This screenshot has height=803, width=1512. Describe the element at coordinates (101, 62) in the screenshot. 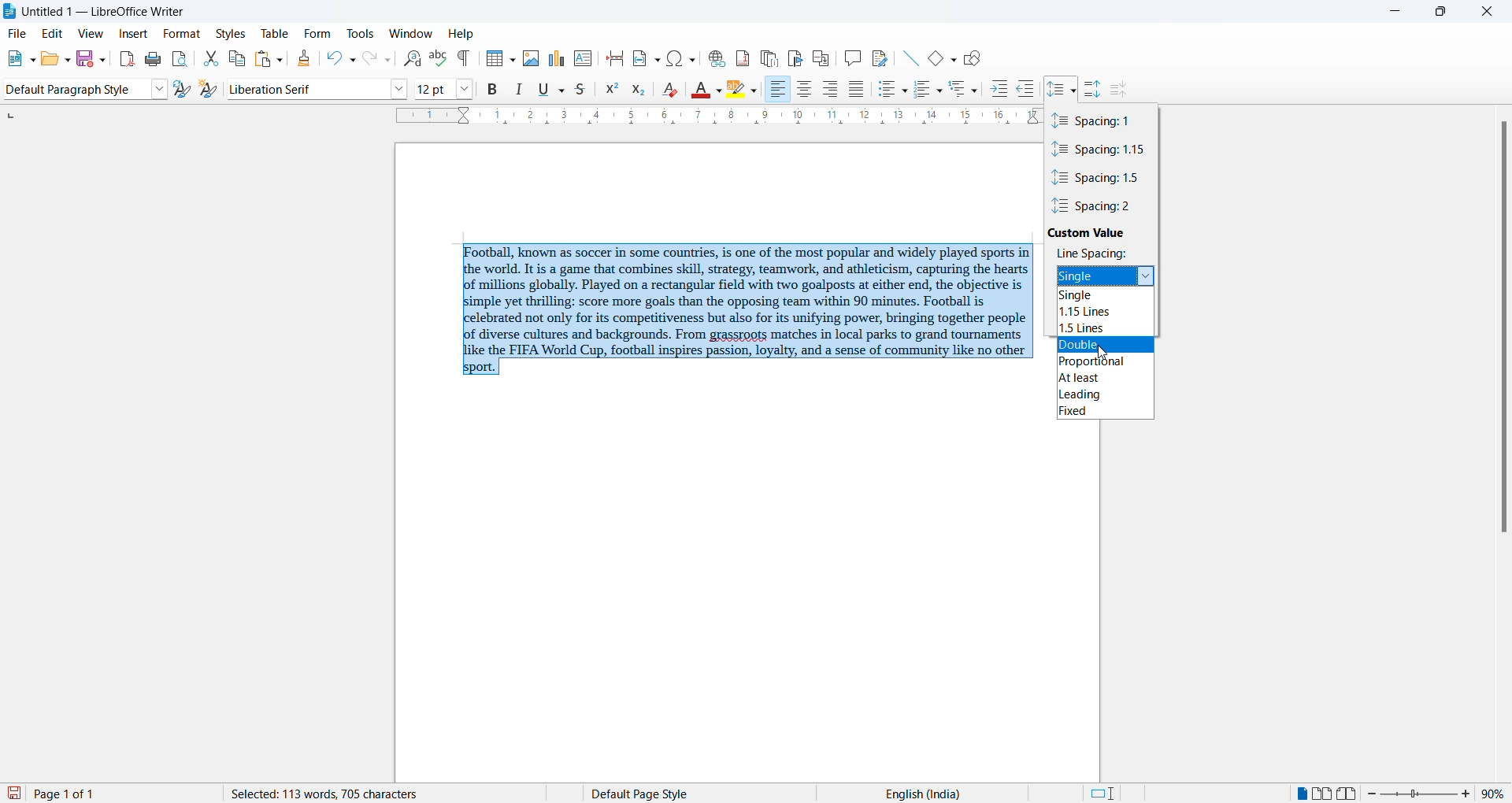

I see `save options` at that location.